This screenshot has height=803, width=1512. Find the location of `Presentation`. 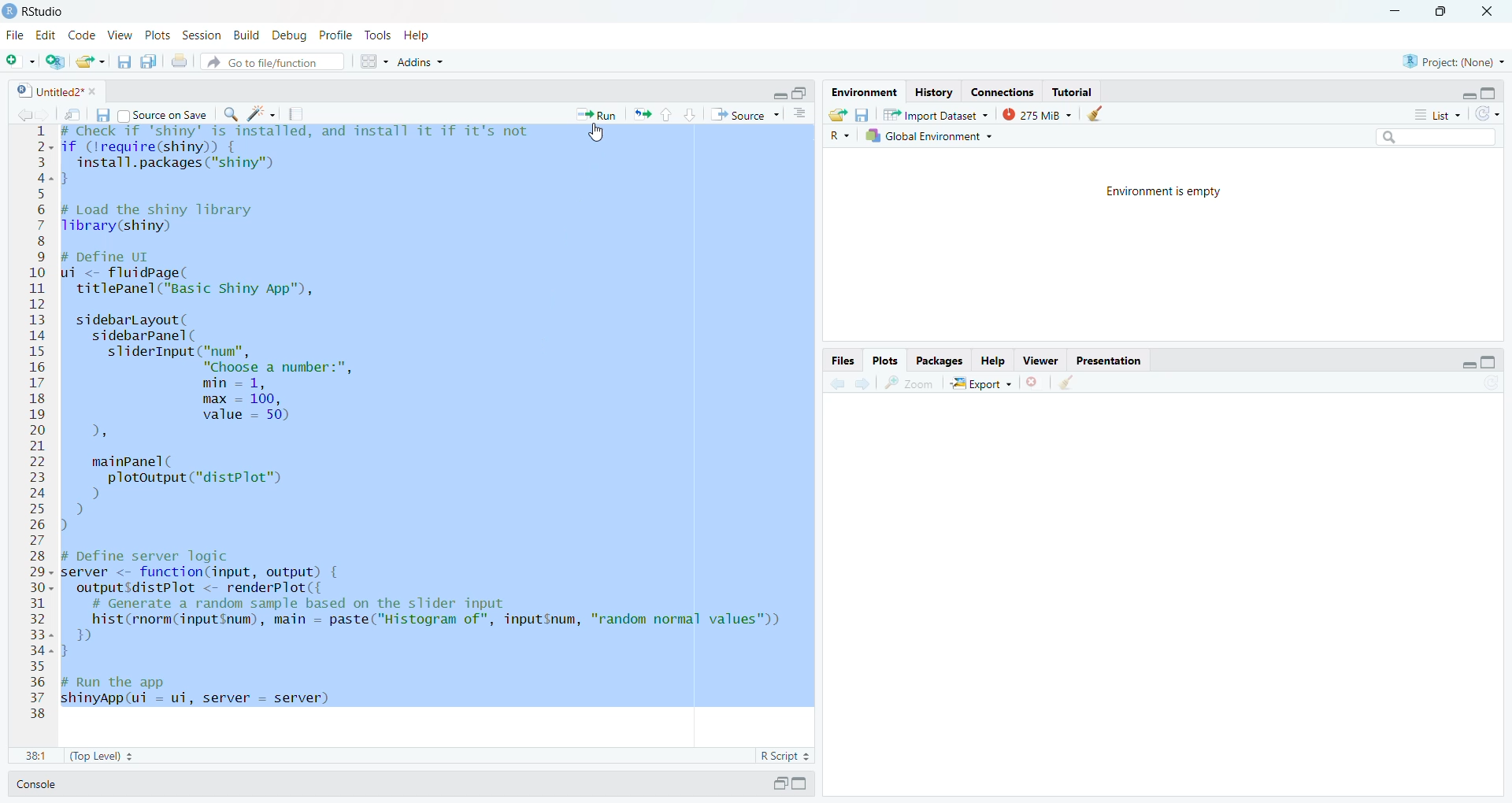

Presentation is located at coordinates (1106, 361).